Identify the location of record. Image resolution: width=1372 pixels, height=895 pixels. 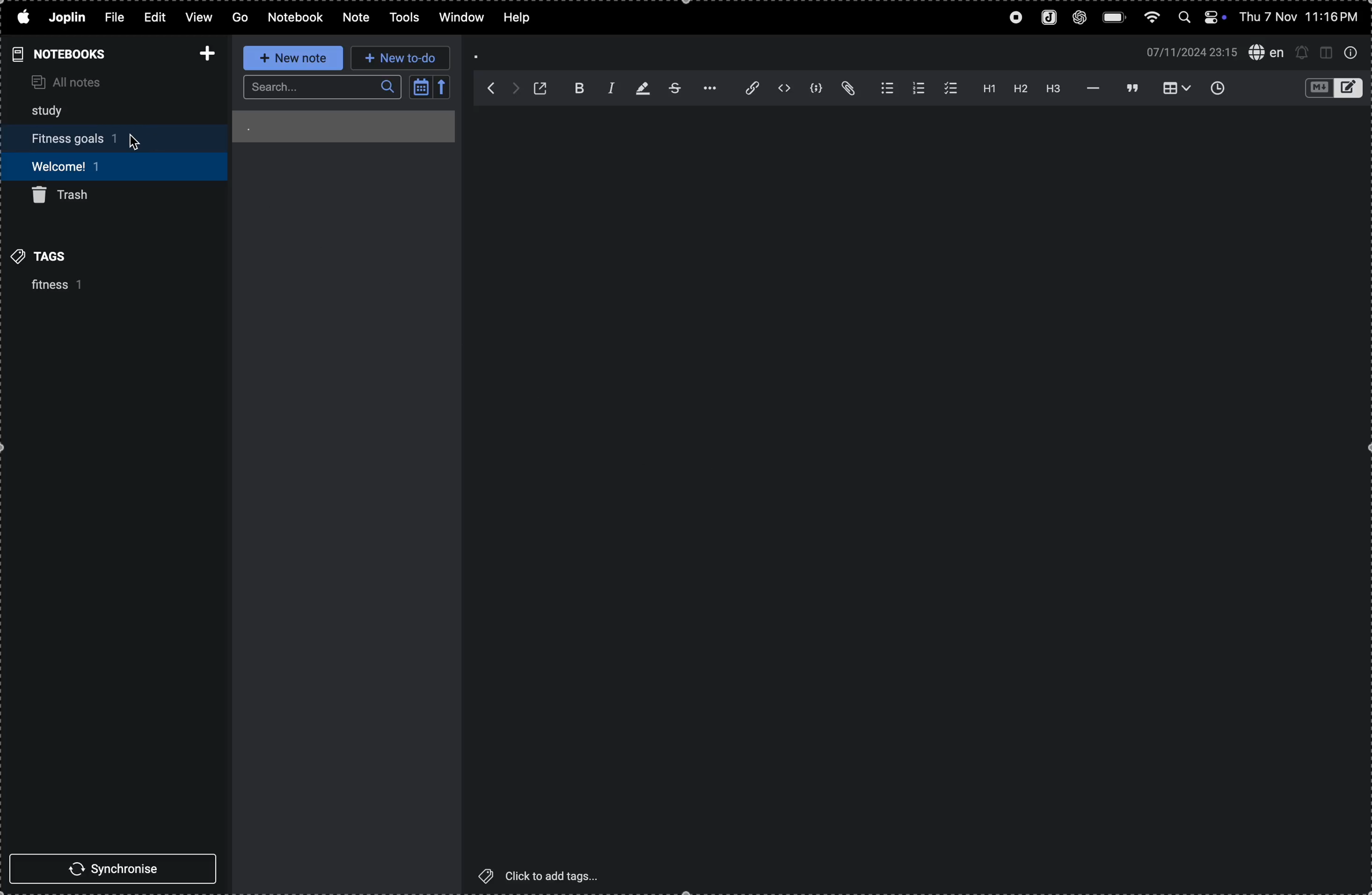
(1009, 18).